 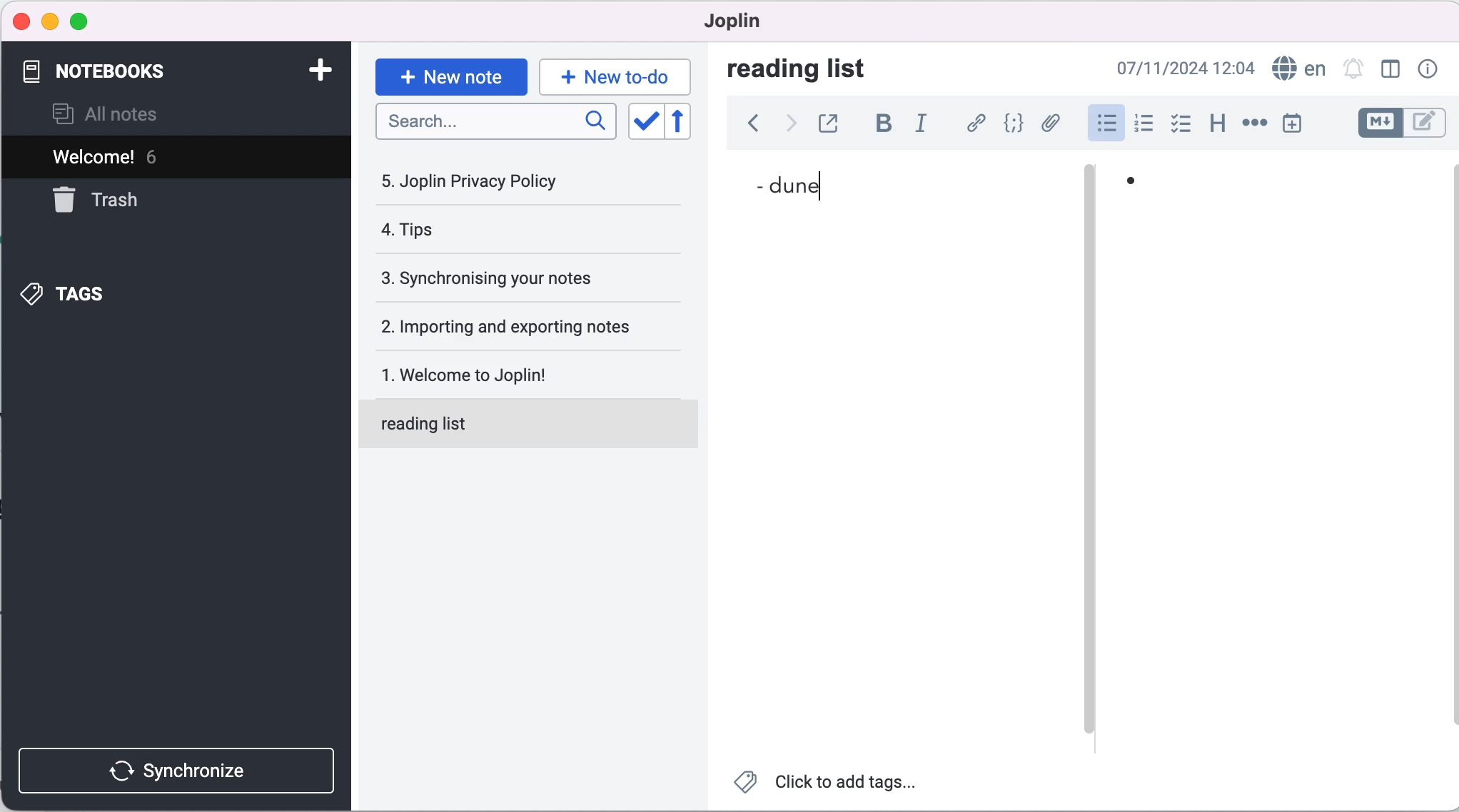 What do you see at coordinates (924, 123) in the screenshot?
I see `italic` at bounding box center [924, 123].